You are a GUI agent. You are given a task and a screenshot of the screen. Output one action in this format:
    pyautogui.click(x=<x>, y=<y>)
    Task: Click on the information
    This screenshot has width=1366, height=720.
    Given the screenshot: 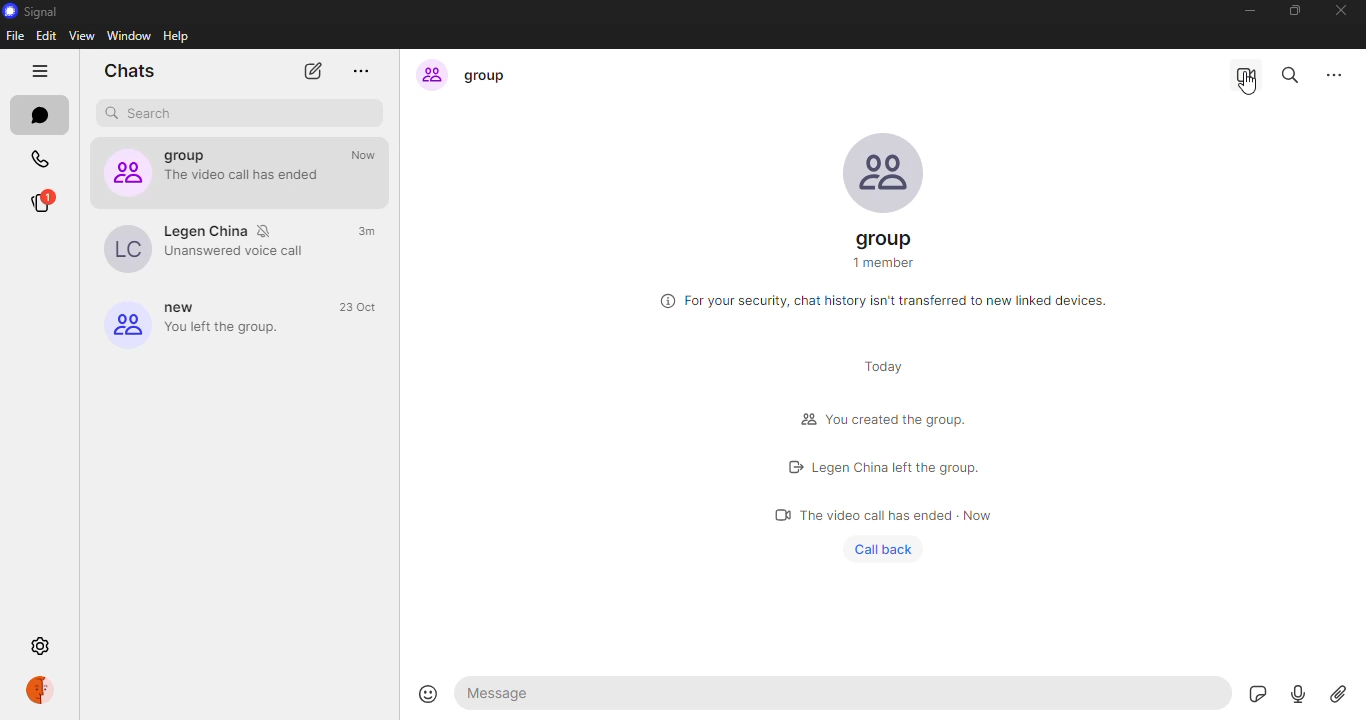 What is the action you would take?
    pyautogui.click(x=663, y=301)
    